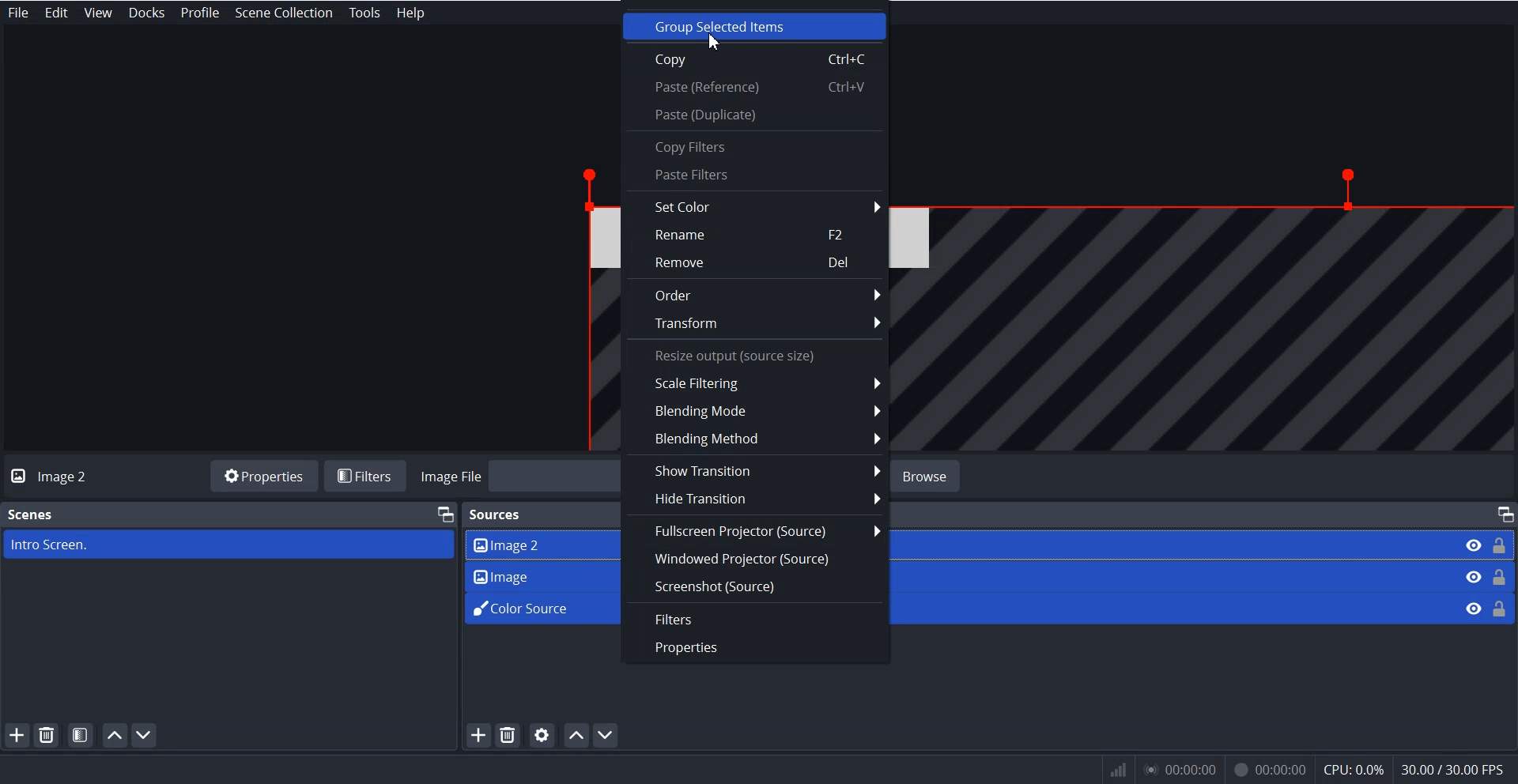  Describe the element at coordinates (754, 207) in the screenshot. I see `Set Color` at that location.